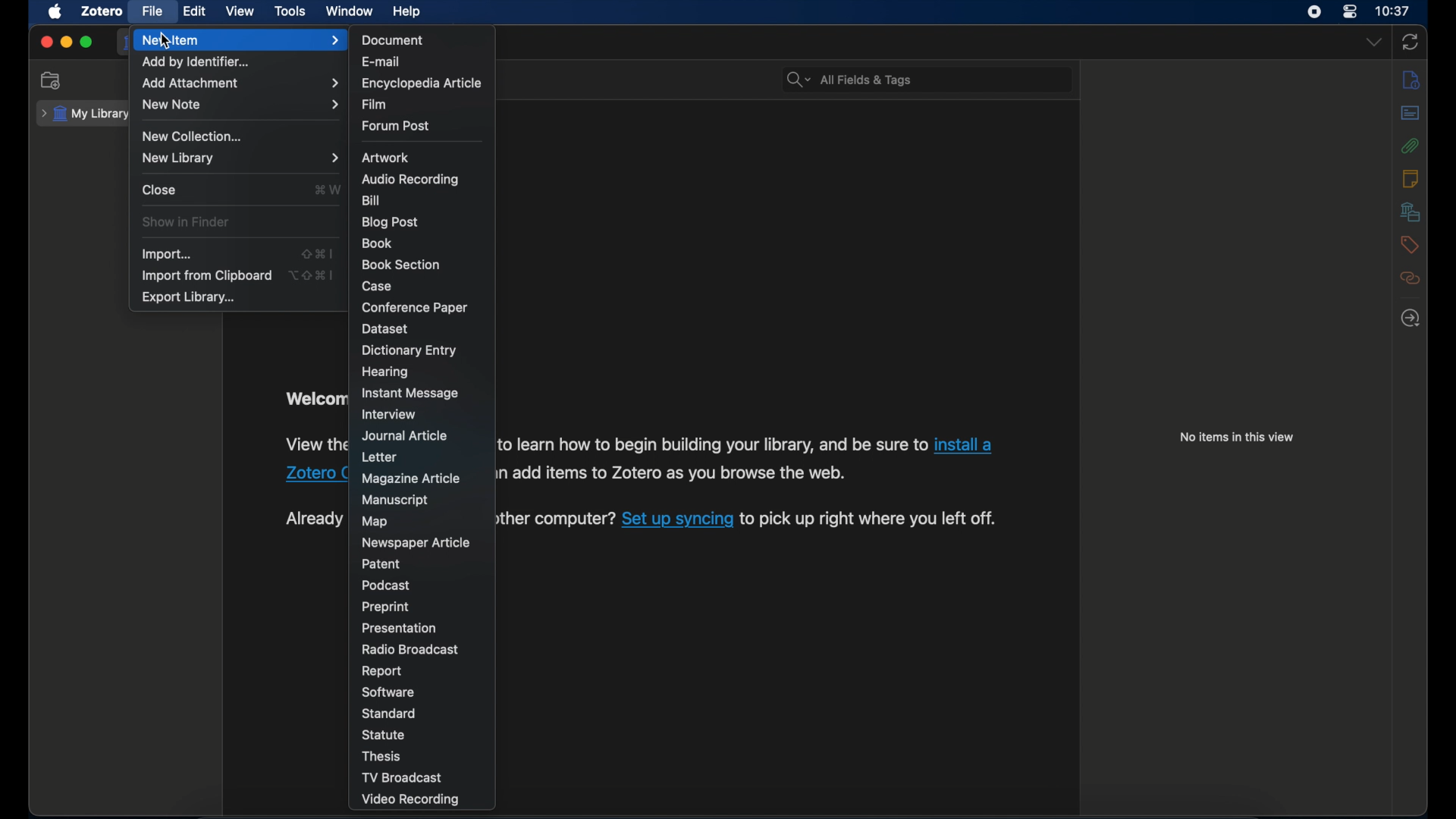 Image resolution: width=1456 pixels, height=819 pixels. What do you see at coordinates (379, 563) in the screenshot?
I see `patent` at bounding box center [379, 563].